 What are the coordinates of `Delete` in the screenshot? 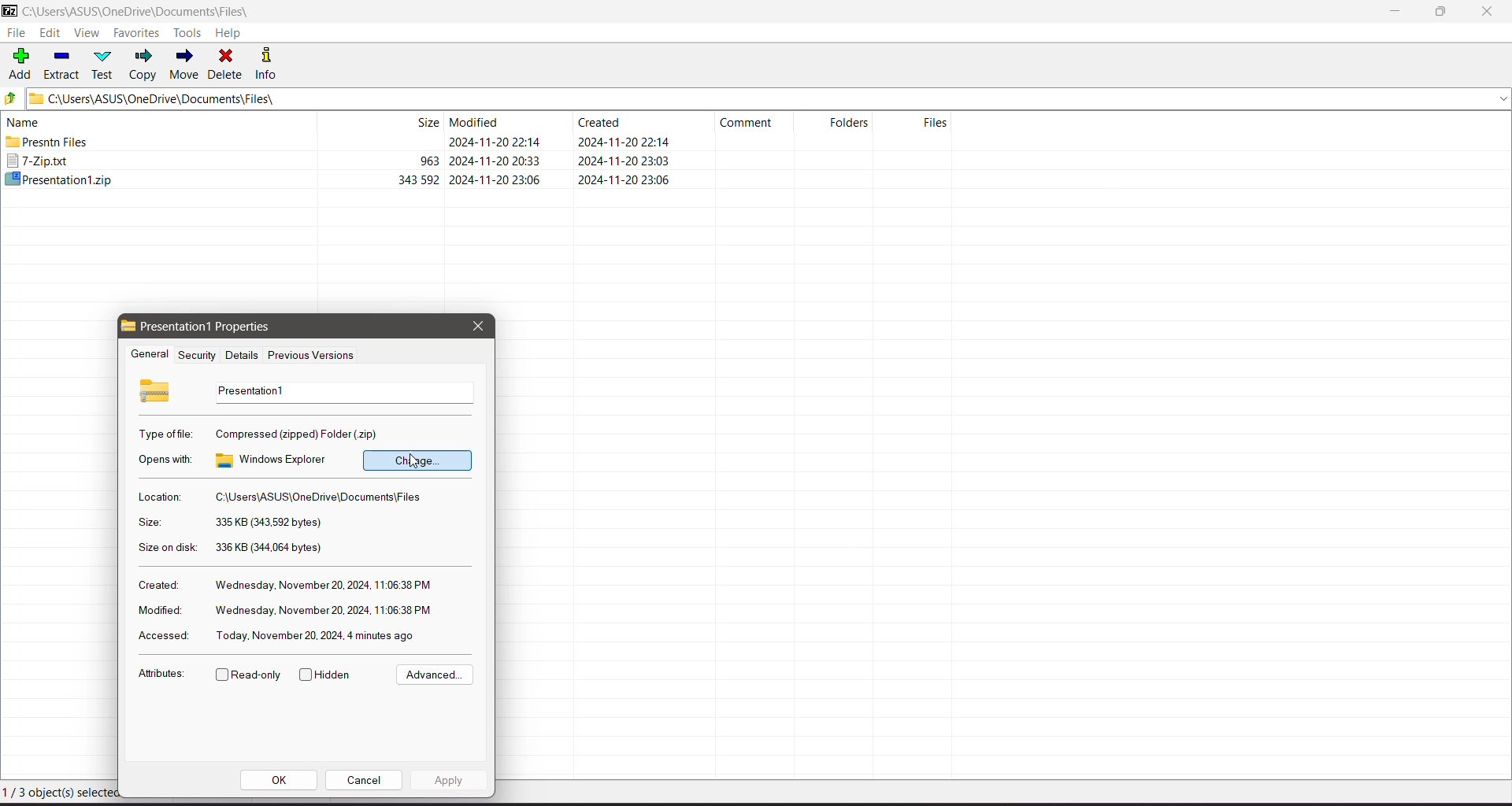 It's located at (227, 63).